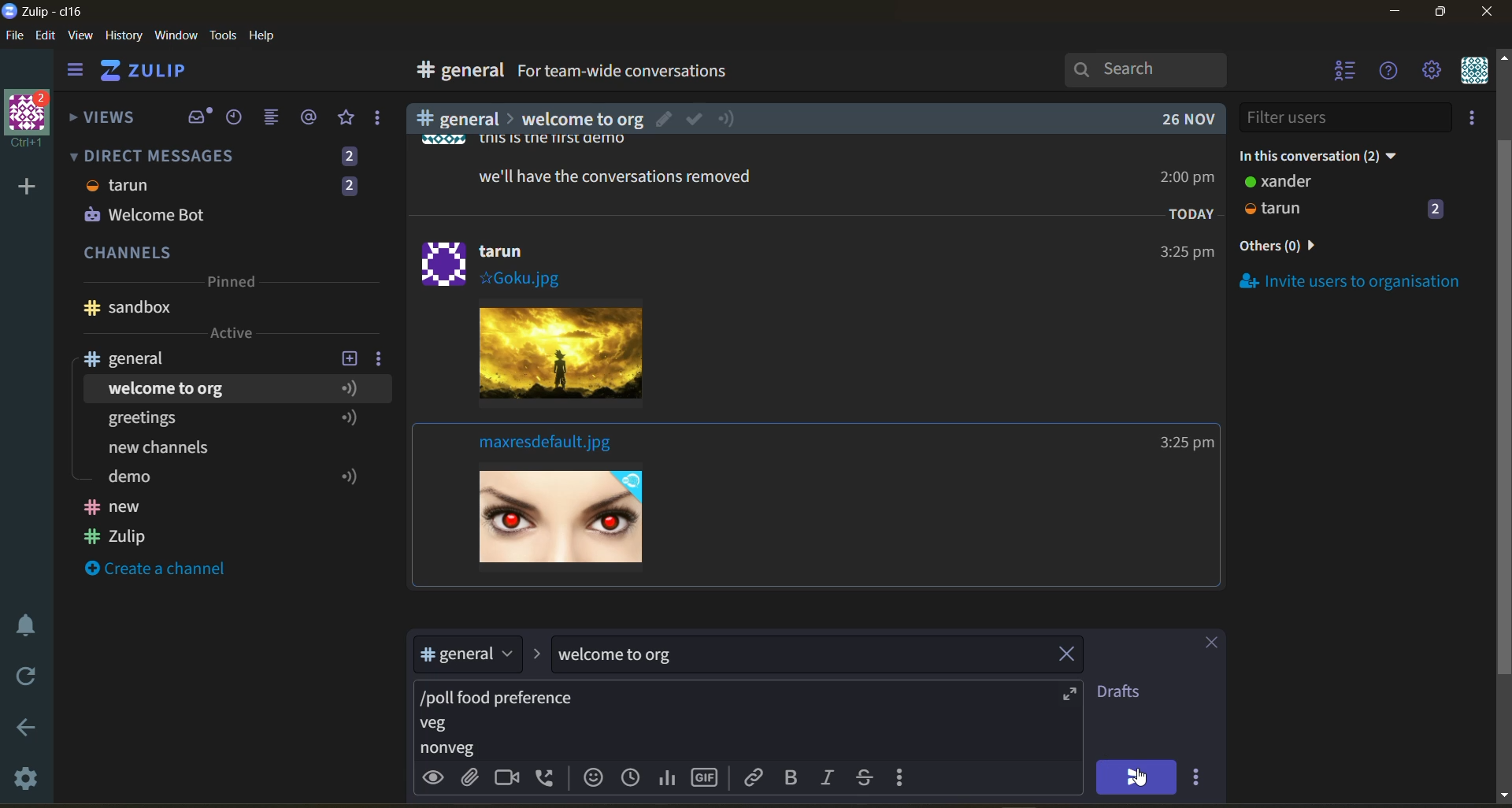 The height and width of the screenshot is (808, 1512). I want to click on , so click(581, 119).